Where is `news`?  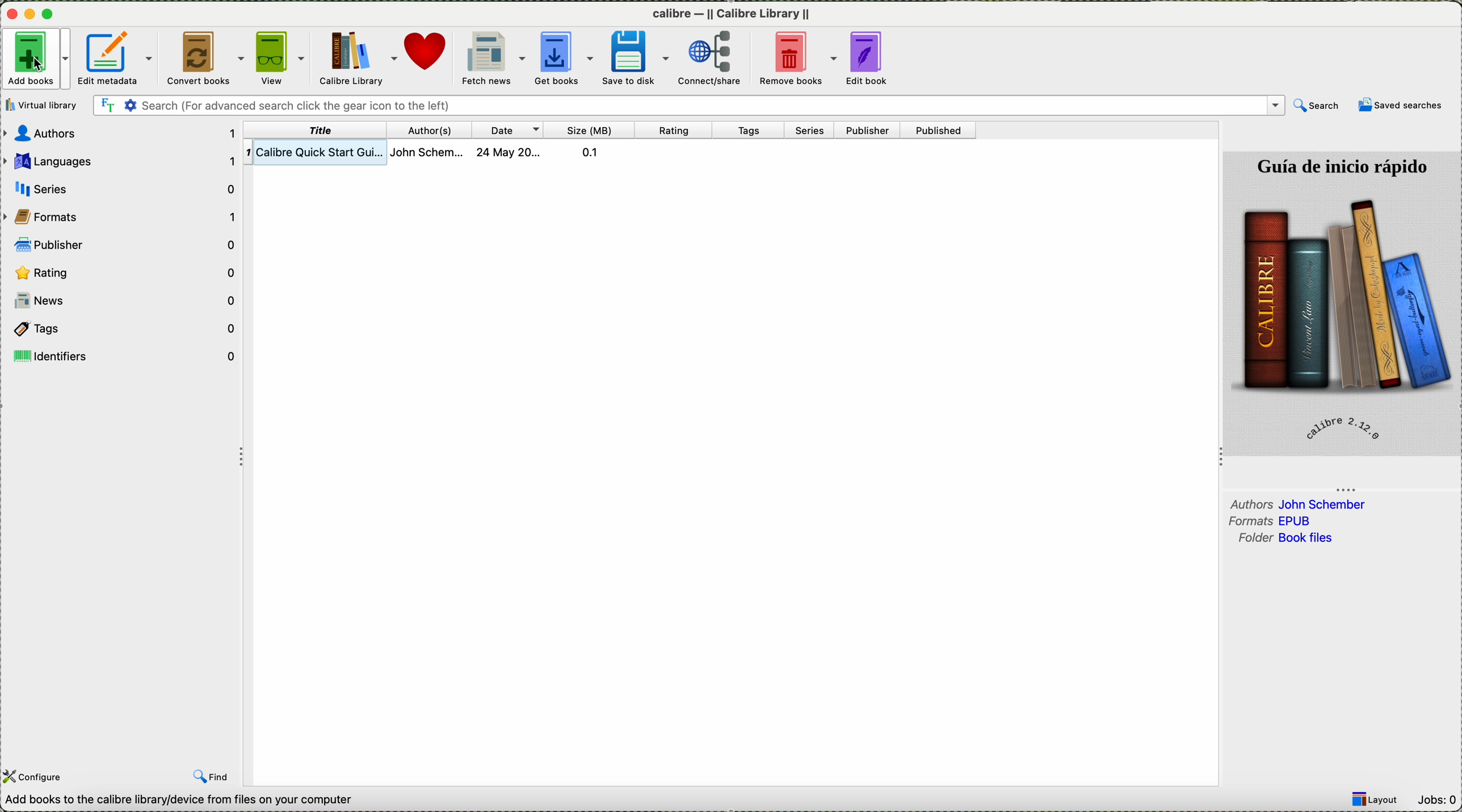 news is located at coordinates (123, 301).